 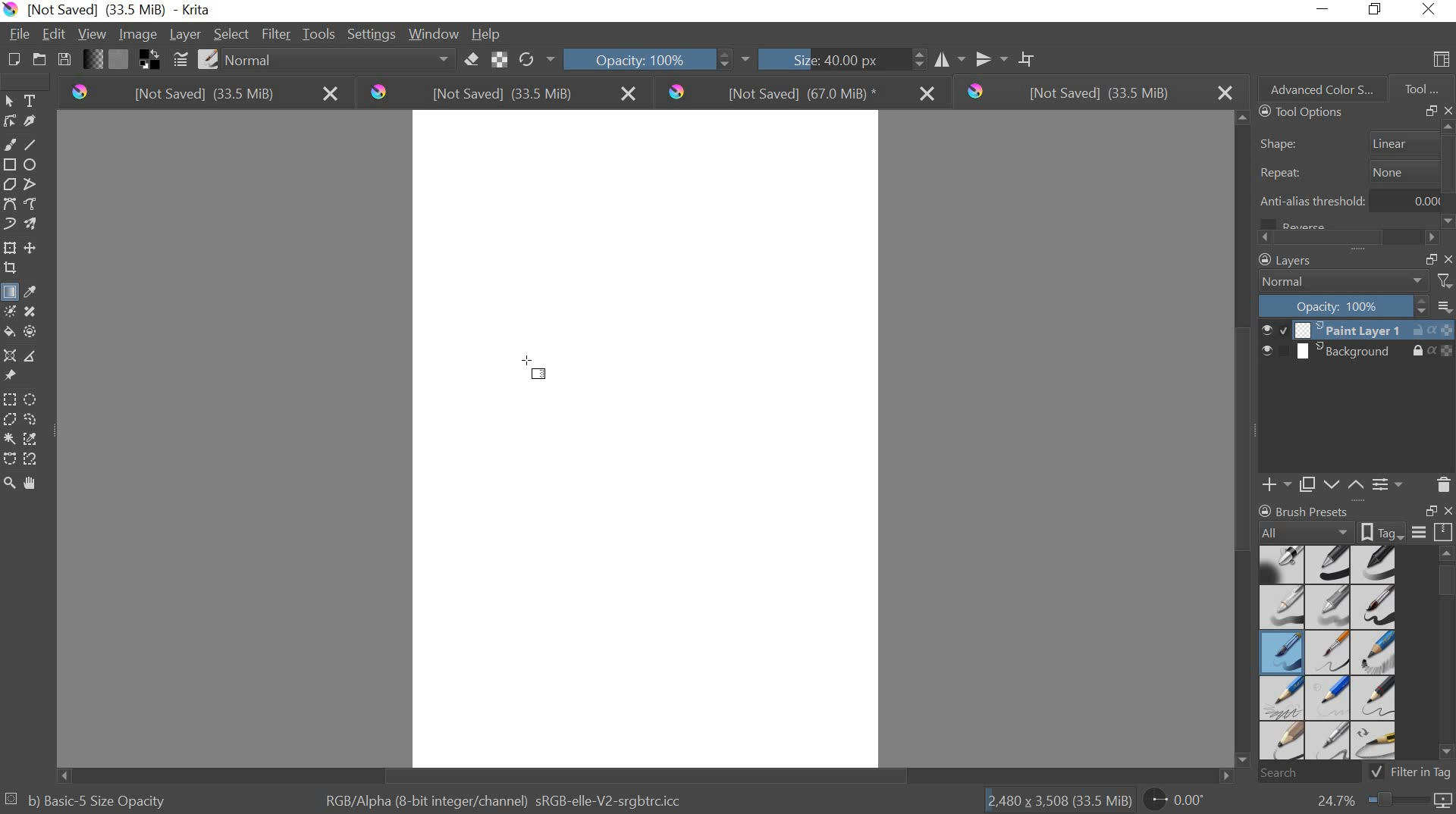 What do you see at coordinates (470, 61) in the screenshot?
I see `ERASER MODE` at bounding box center [470, 61].